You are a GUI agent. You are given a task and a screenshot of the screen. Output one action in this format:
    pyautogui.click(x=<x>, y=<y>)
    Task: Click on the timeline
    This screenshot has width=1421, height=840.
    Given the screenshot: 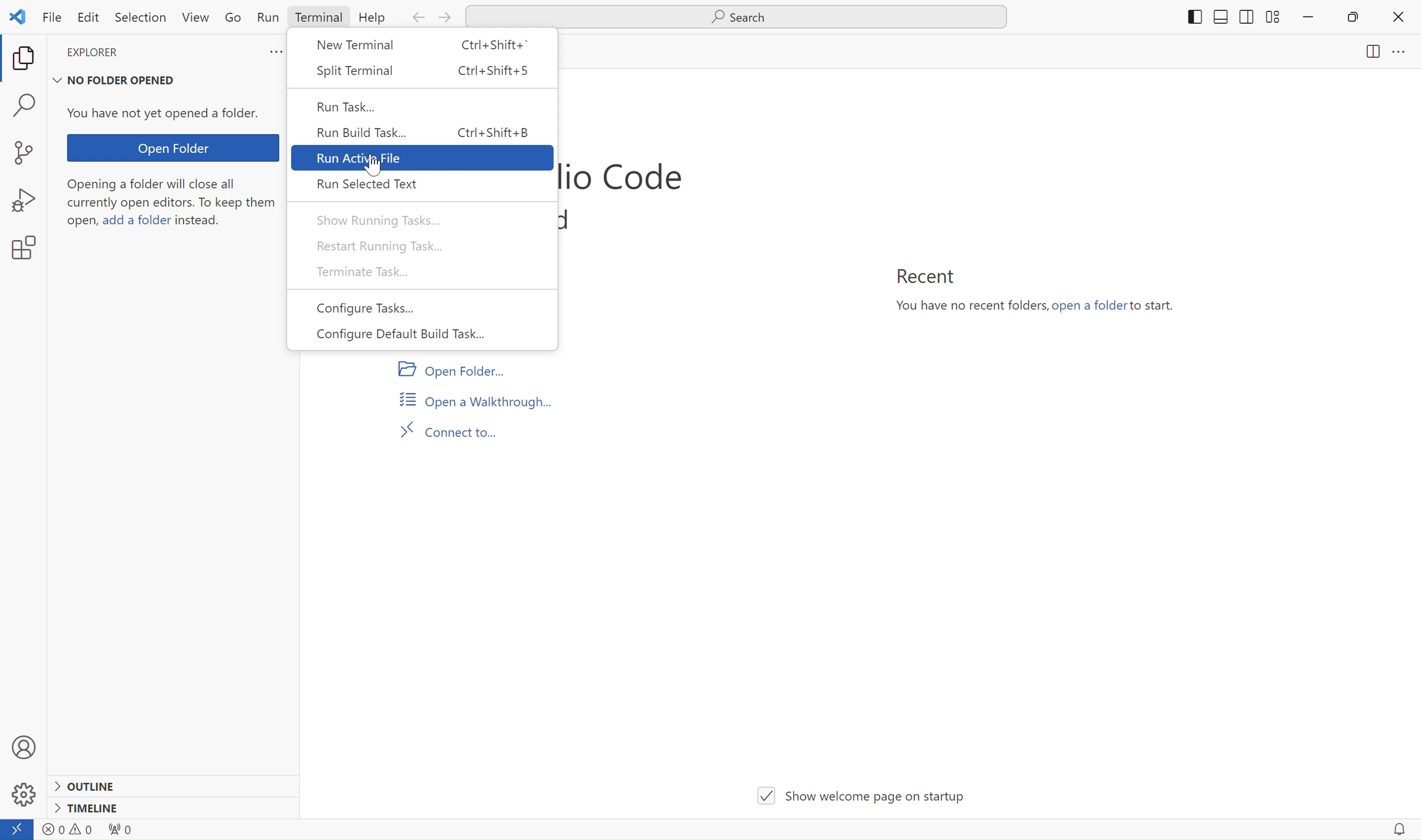 What is the action you would take?
    pyautogui.click(x=95, y=808)
    